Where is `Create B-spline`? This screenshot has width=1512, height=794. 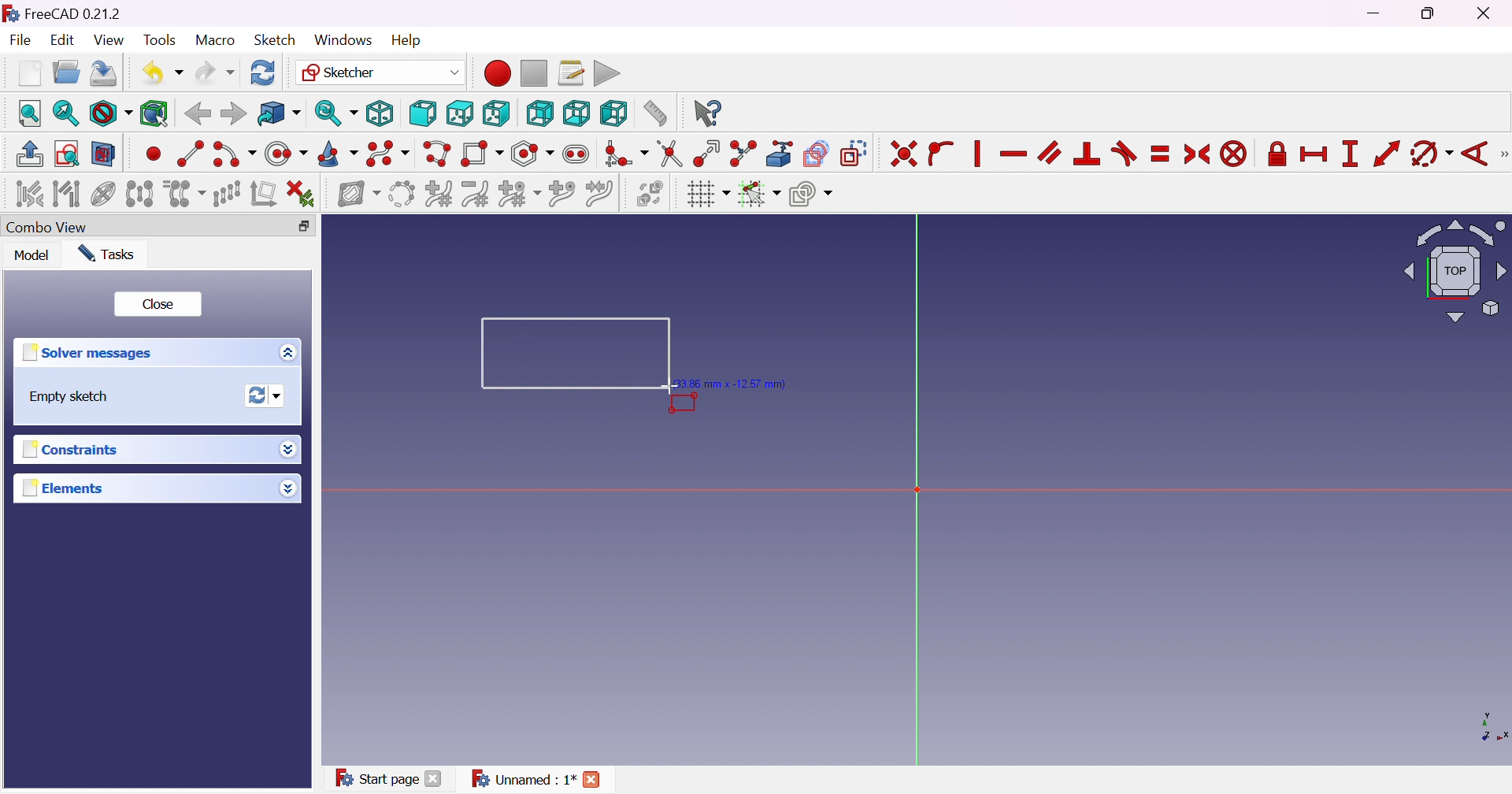
Create B-spline is located at coordinates (387, 154).